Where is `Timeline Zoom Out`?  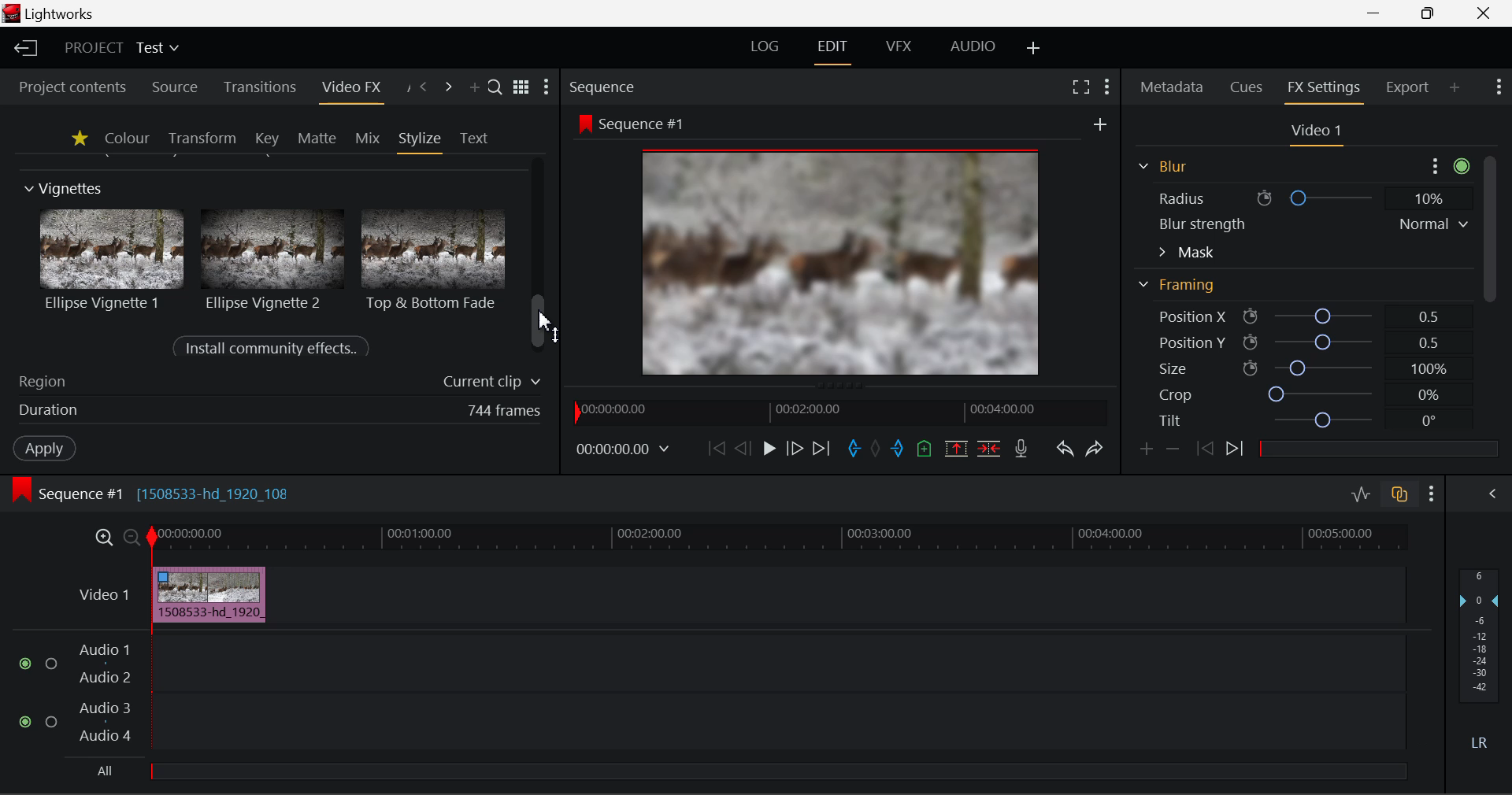
Timeline Zoom Out is located at coordinates (131, 536).